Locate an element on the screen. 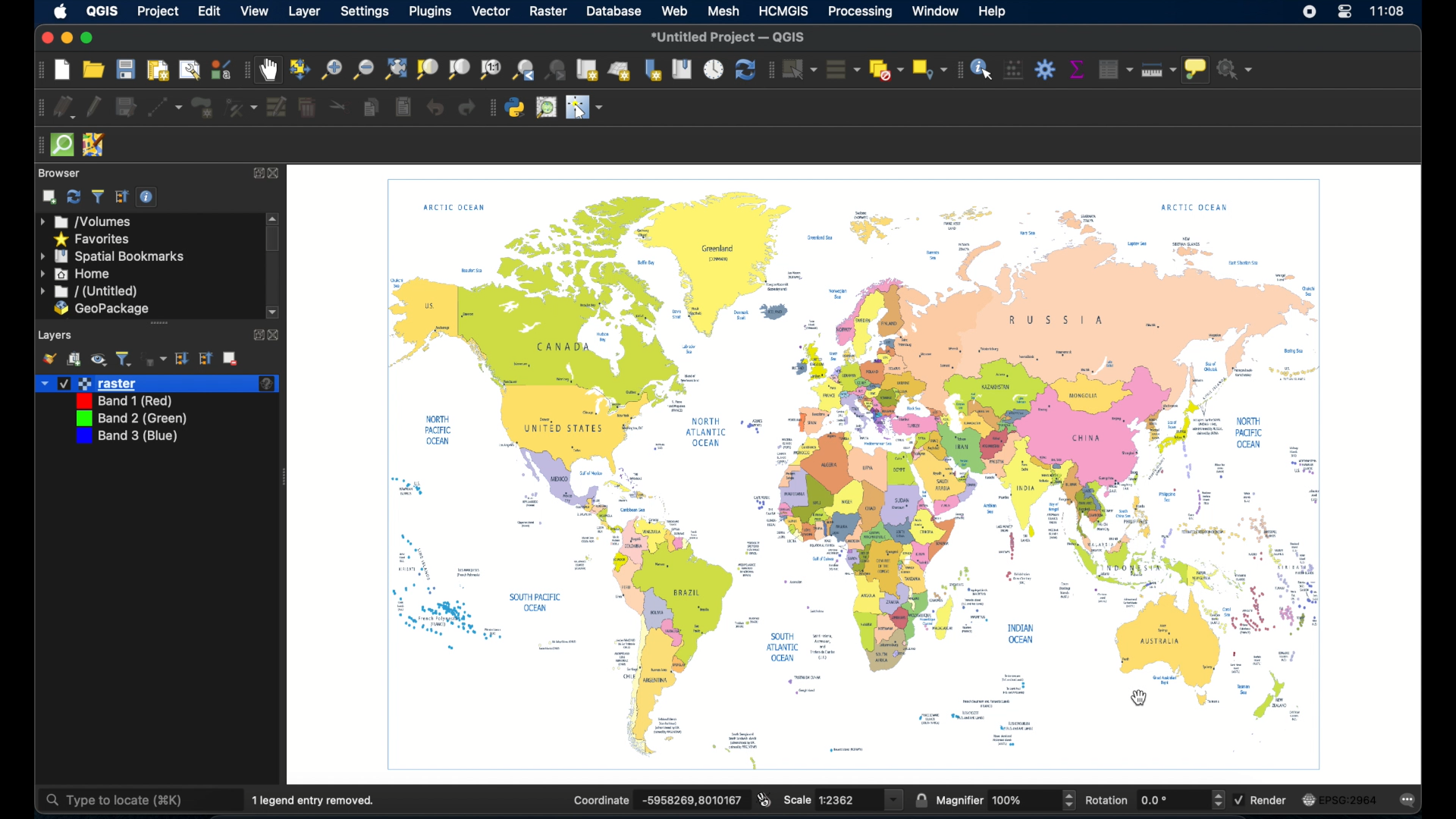  time is located at coordinates (1389, 13).